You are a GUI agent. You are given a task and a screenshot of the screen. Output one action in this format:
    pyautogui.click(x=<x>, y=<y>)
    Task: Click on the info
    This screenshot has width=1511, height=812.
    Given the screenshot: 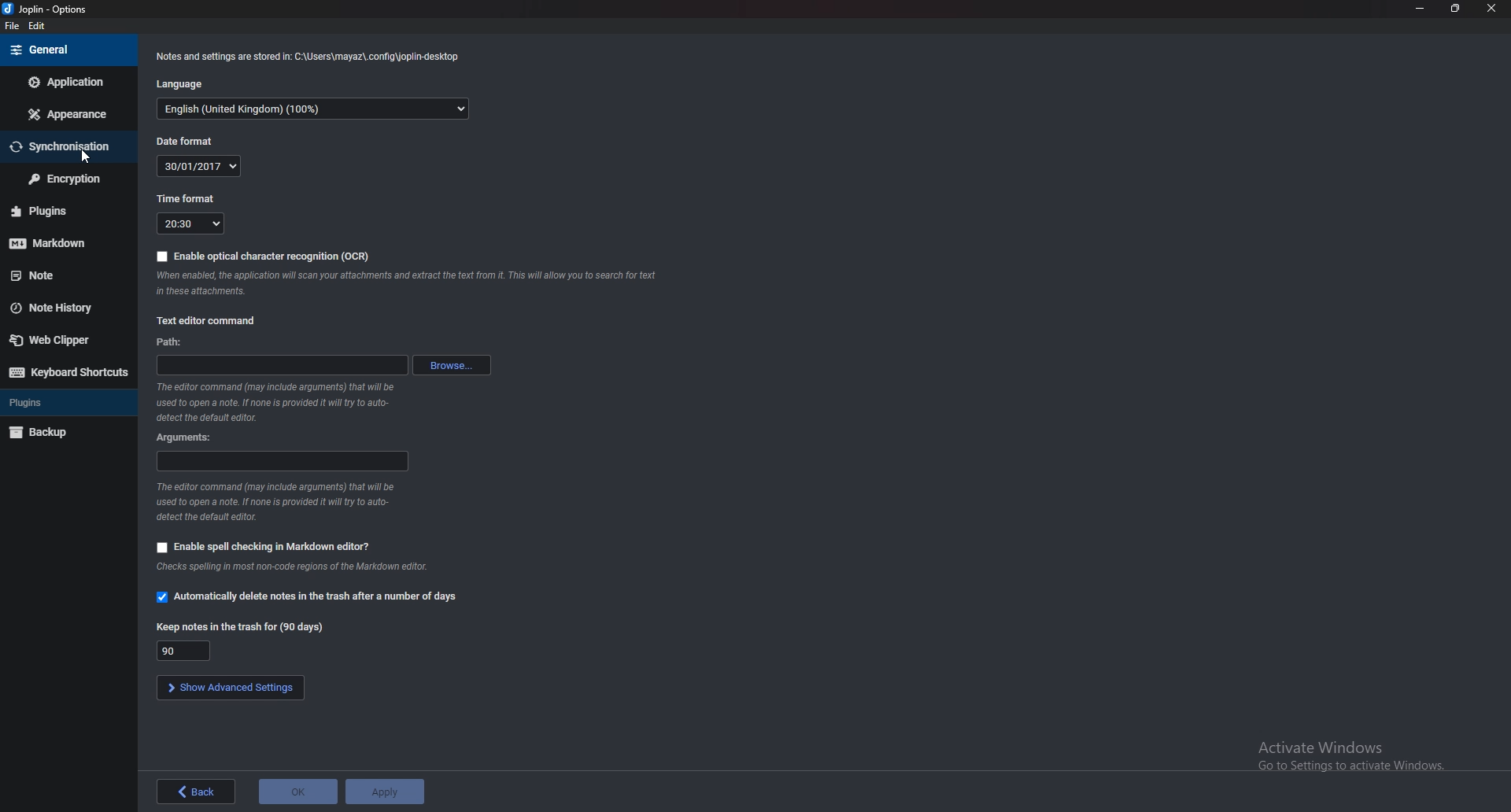 What is the action you would take?
    pyautogui.click(x=308, y=57)
    